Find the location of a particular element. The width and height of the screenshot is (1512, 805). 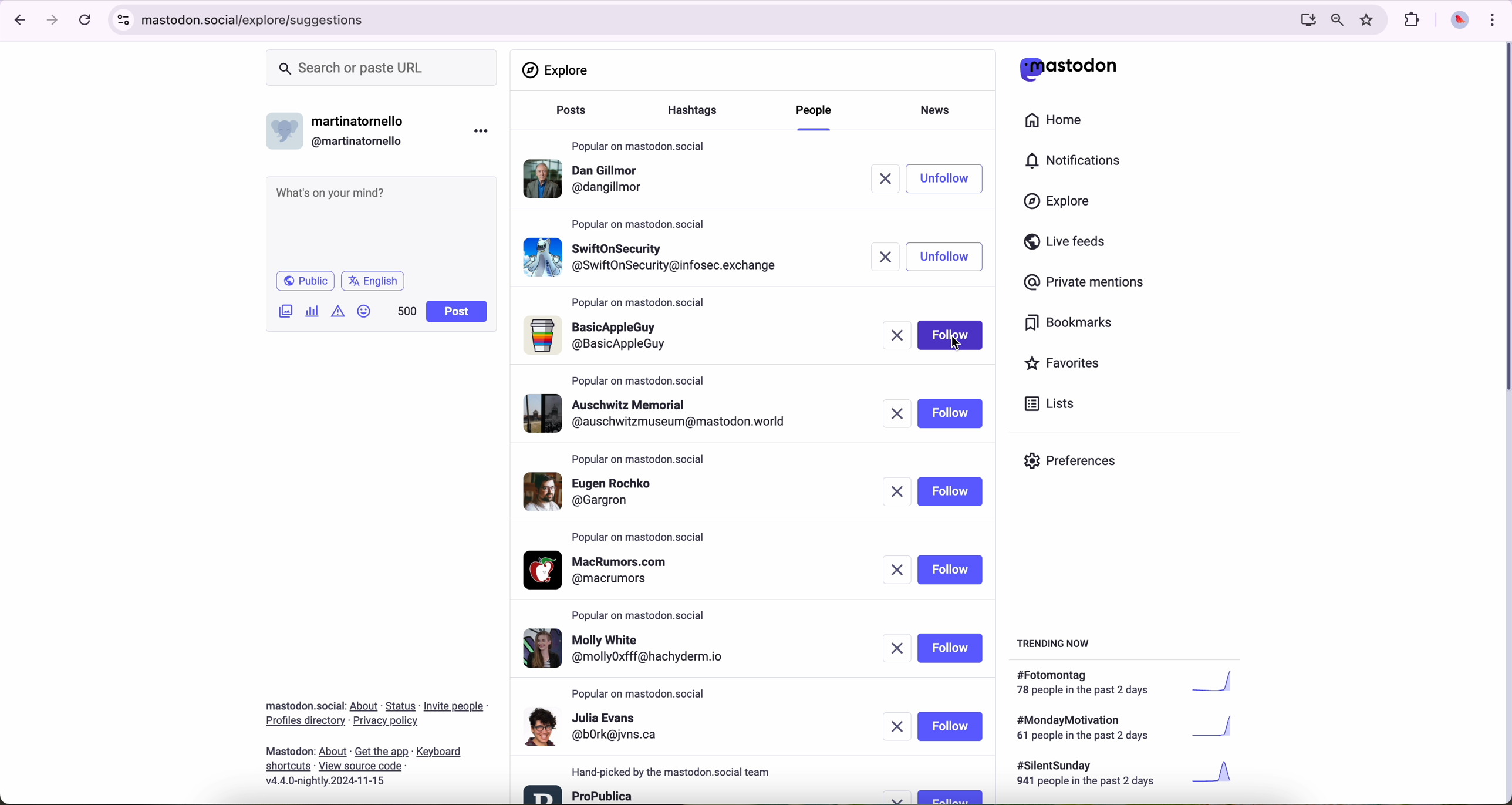

profile is located at coordinates (595, 726).